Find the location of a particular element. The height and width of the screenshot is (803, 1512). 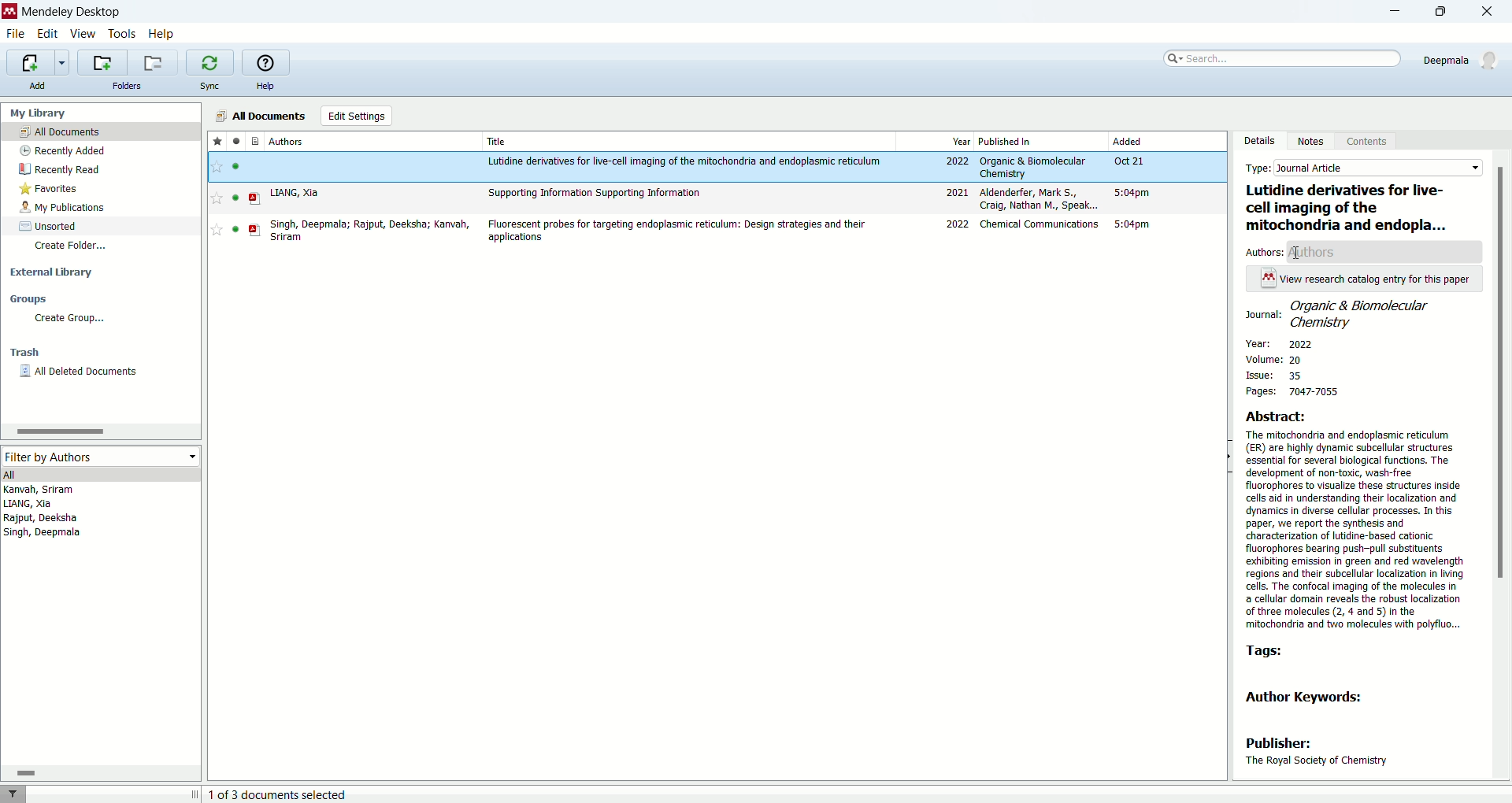

Oct 21 is located at coordinates (1133, 163).